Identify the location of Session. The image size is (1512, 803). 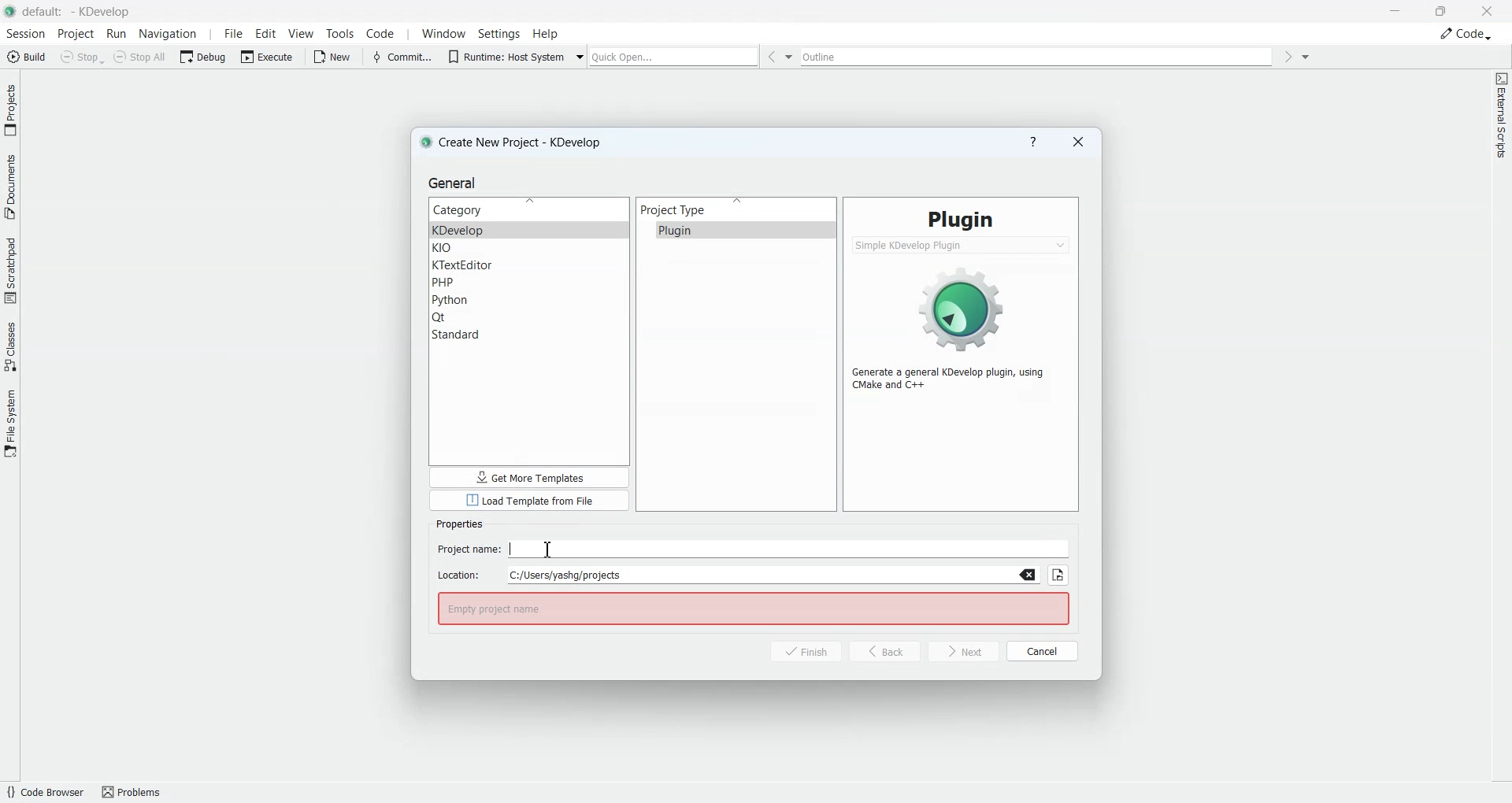
(24, 34).